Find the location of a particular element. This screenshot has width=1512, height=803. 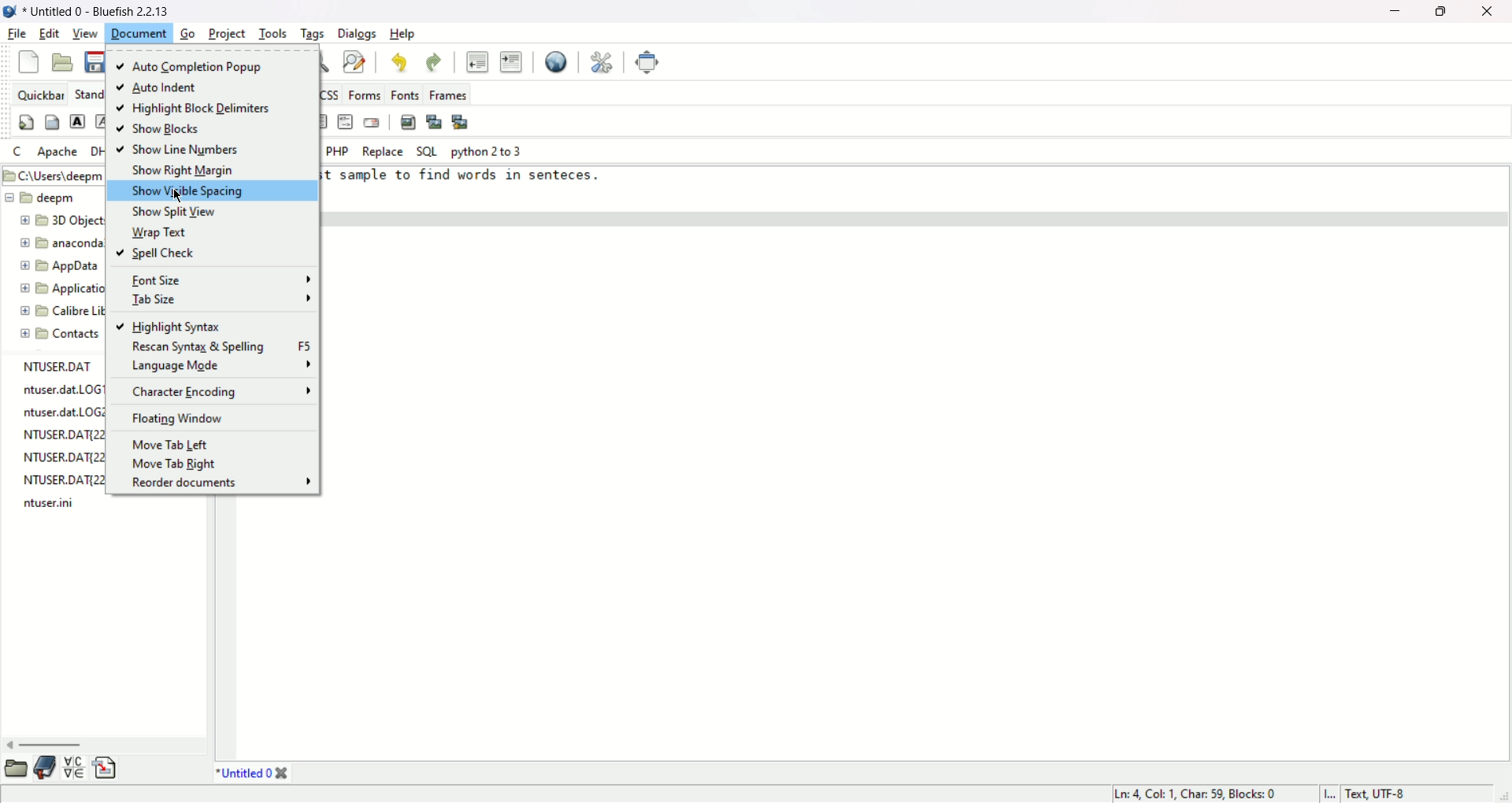

fonts is located at coordinates (404, 94).